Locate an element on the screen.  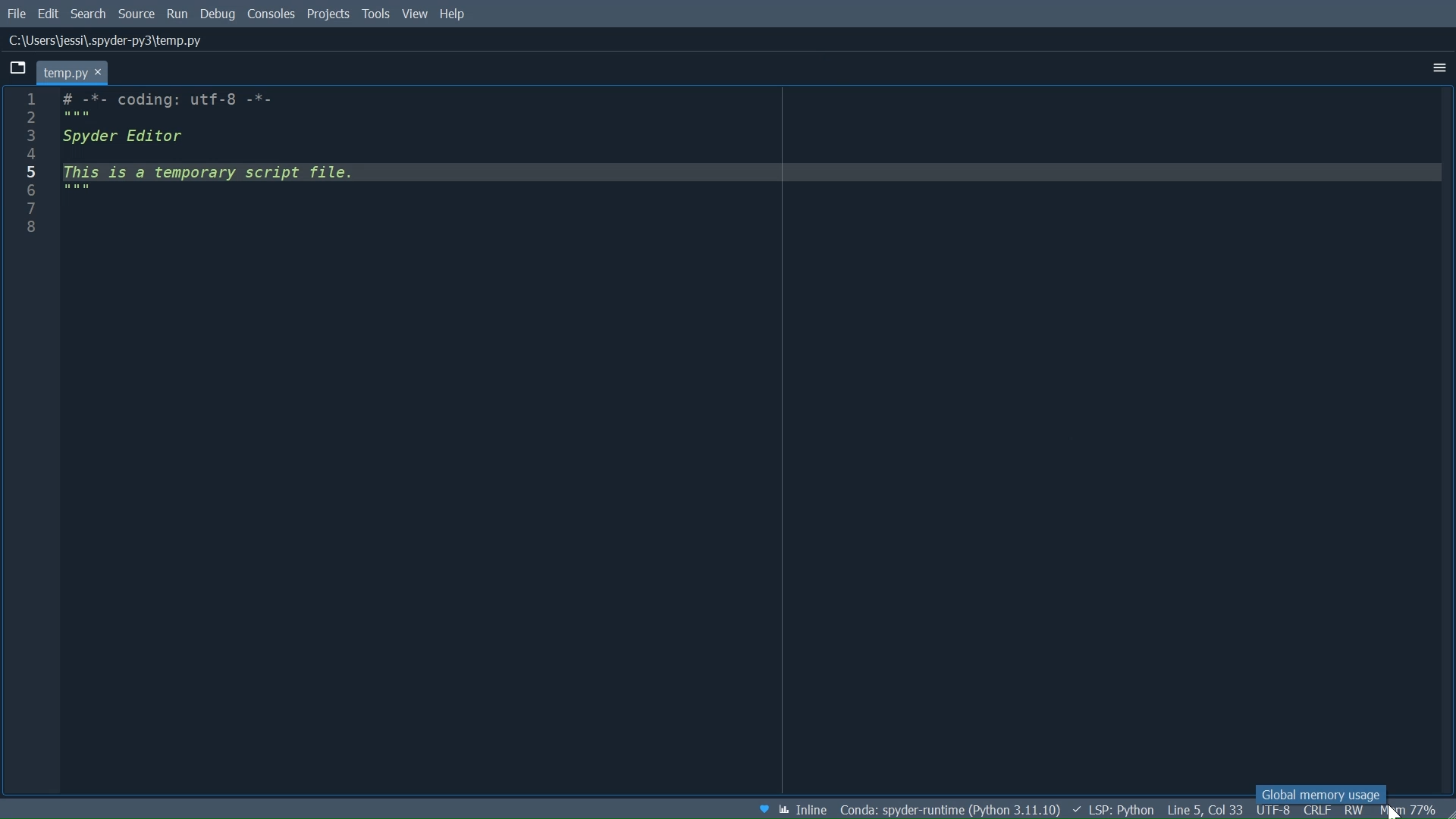
Tools is located at coordinates (377, 16).